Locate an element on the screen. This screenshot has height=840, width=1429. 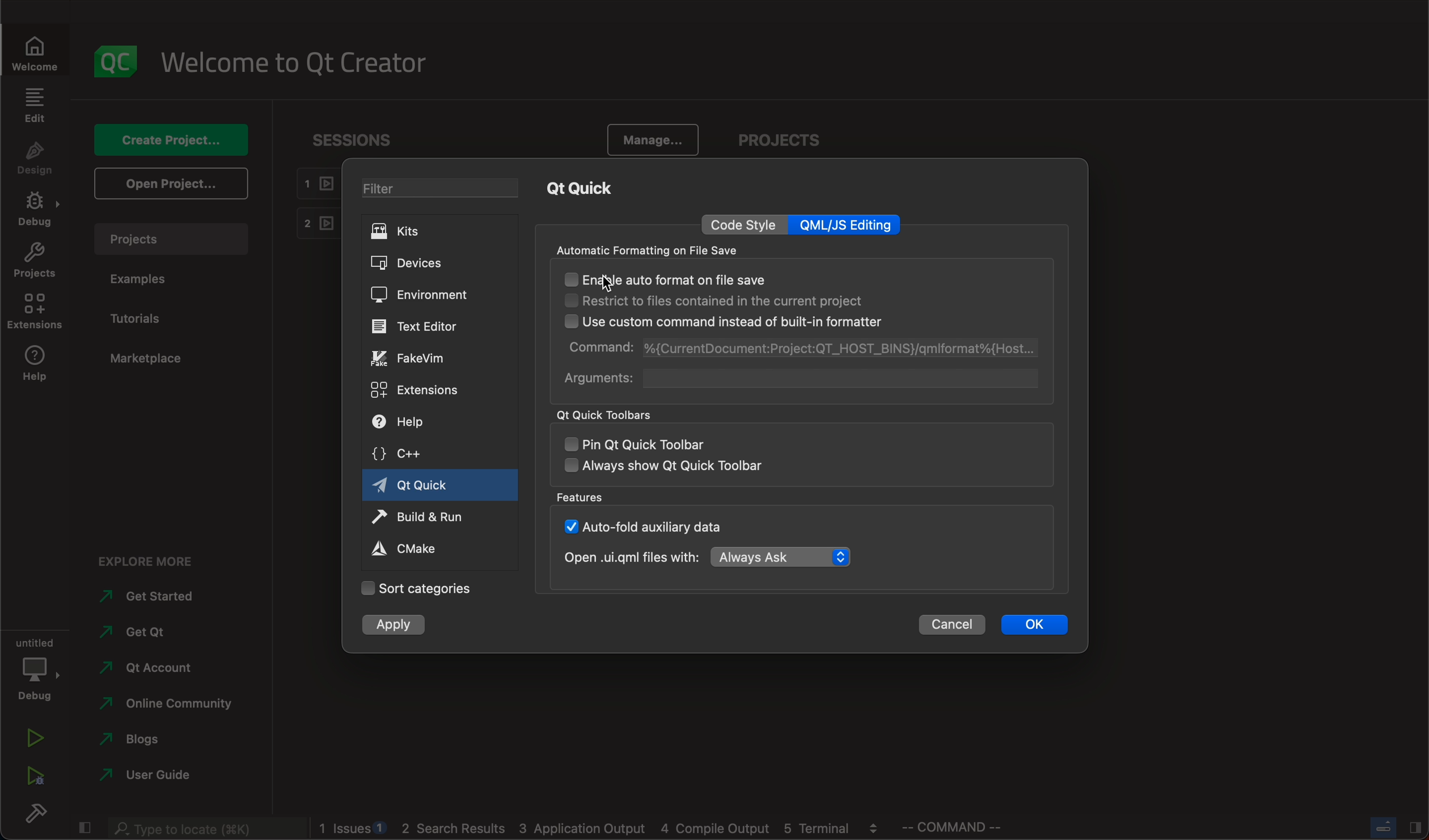
auto is located at coordinates (667, 525).